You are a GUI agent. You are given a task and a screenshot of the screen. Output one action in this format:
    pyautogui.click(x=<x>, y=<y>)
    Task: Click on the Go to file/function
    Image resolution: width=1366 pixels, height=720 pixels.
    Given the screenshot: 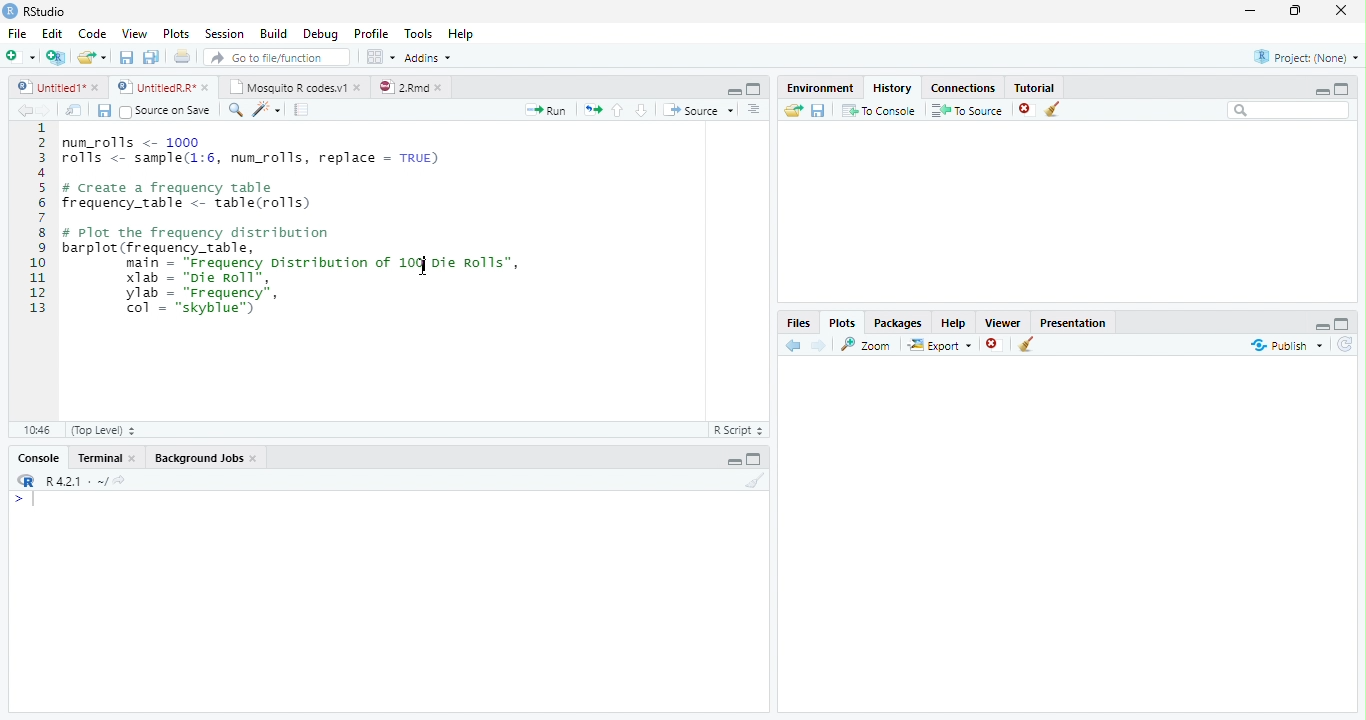 What is the action you would take?
    pyautogui.click(x=275, y=57)
    